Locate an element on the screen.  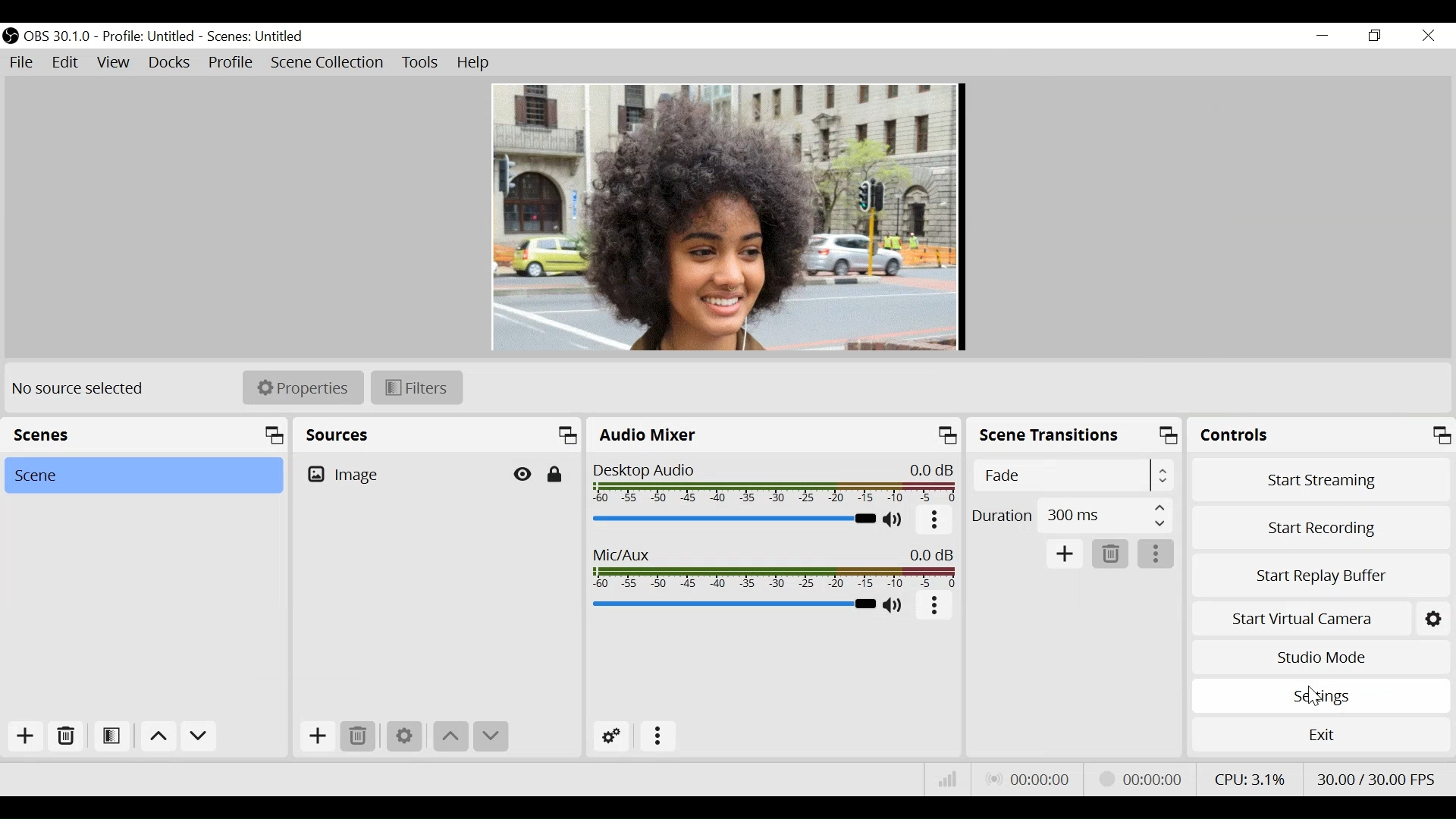
Filter is located at coordinates (416, 389).